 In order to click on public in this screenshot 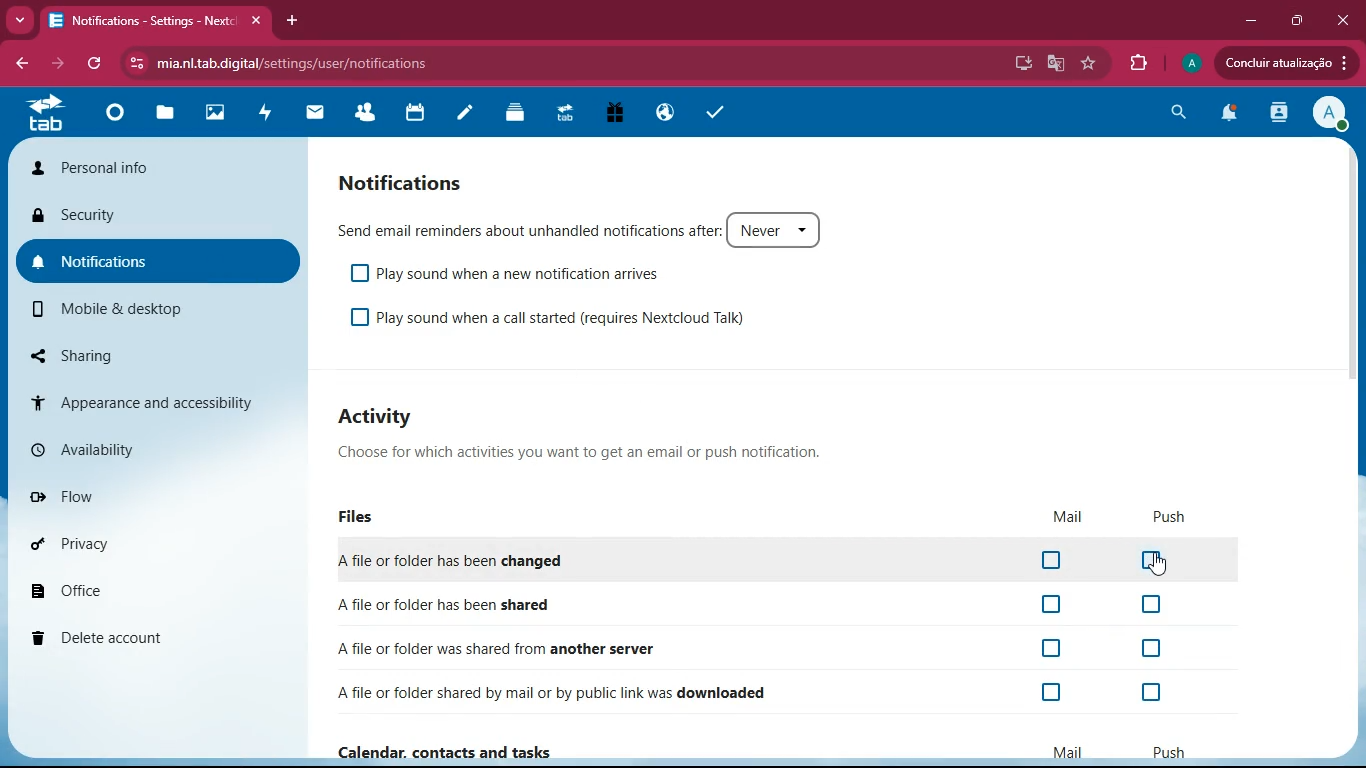, I will do `click(668, 112)`.